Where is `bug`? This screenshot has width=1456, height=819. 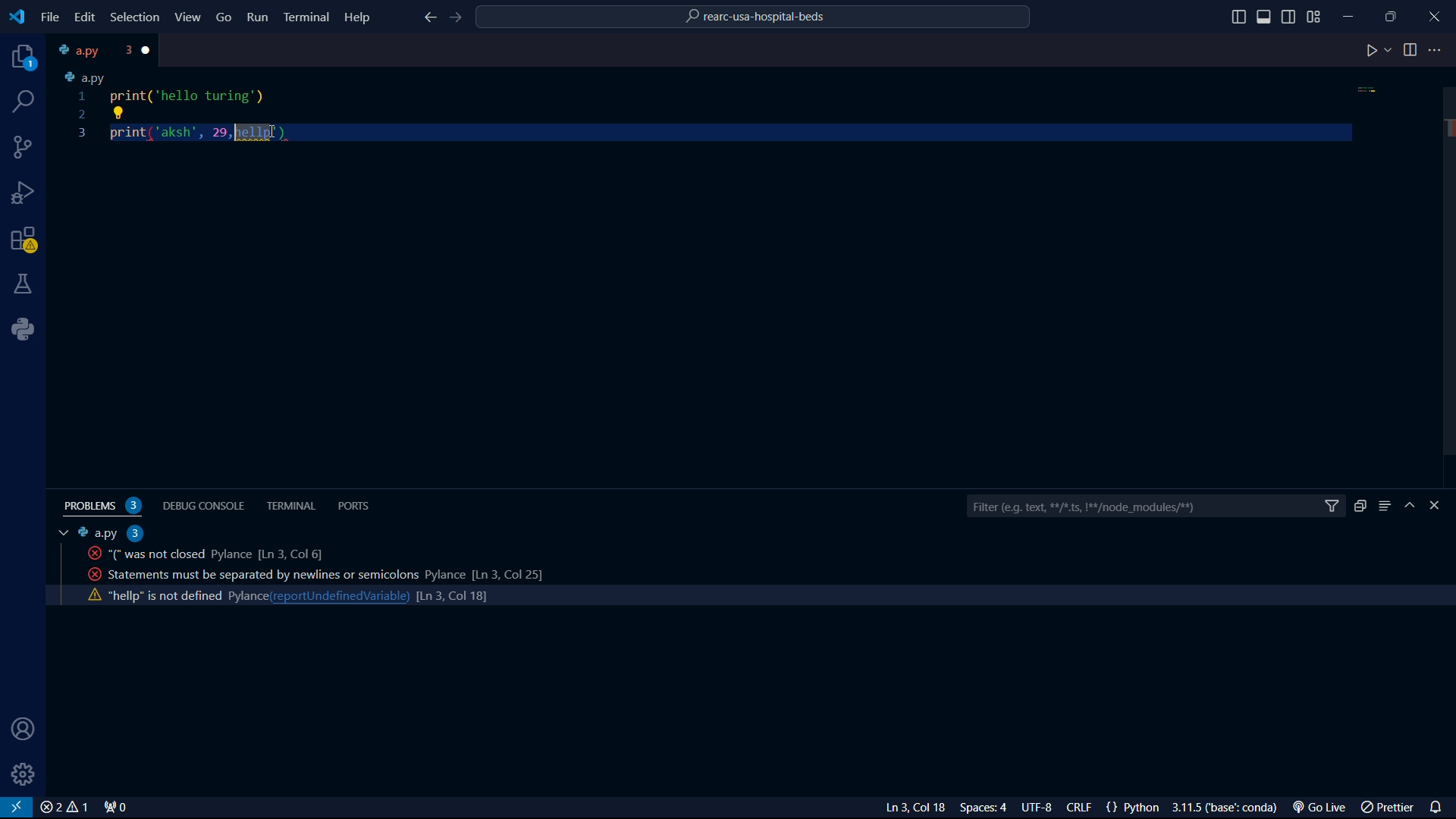 bug is located at coordinates (27, 190).